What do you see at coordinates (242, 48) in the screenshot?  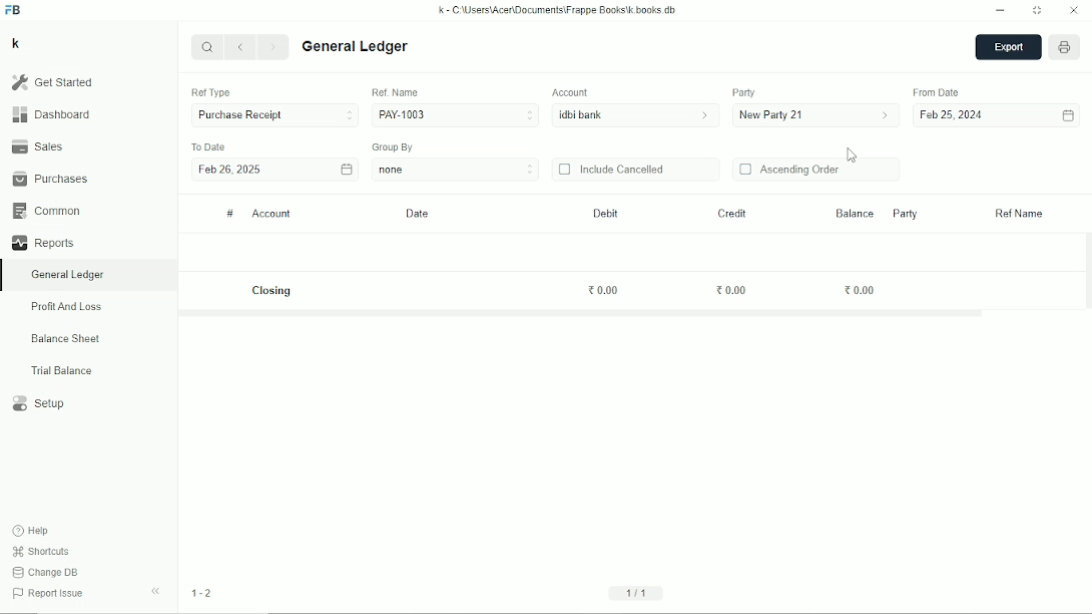 I see `Previous` at bounding box center [242, 48].